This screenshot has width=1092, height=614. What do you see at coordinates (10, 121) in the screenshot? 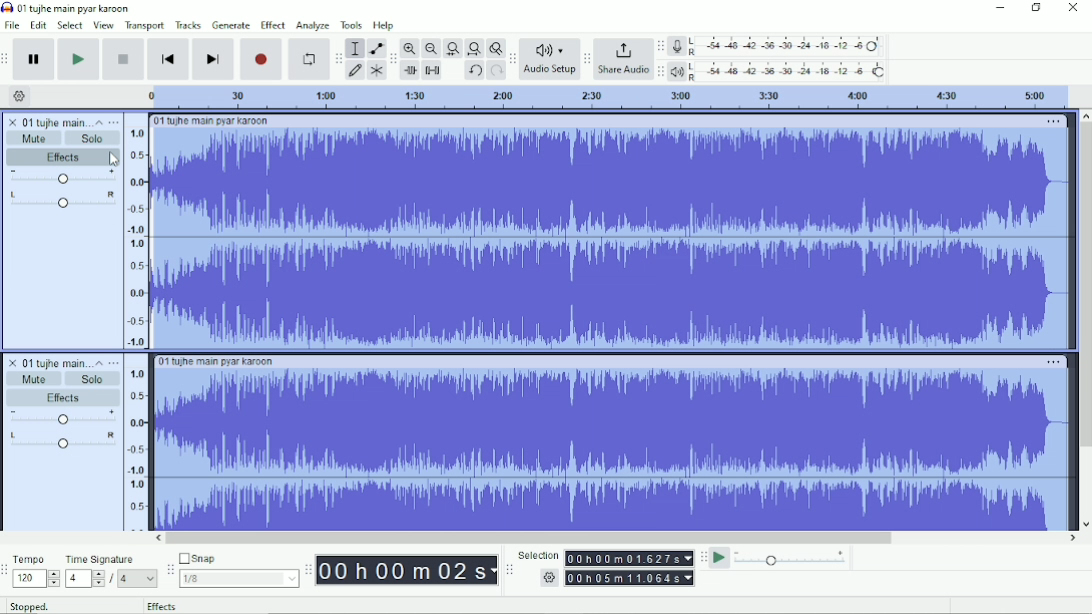
I see `close` at bounding box center [10, 121].